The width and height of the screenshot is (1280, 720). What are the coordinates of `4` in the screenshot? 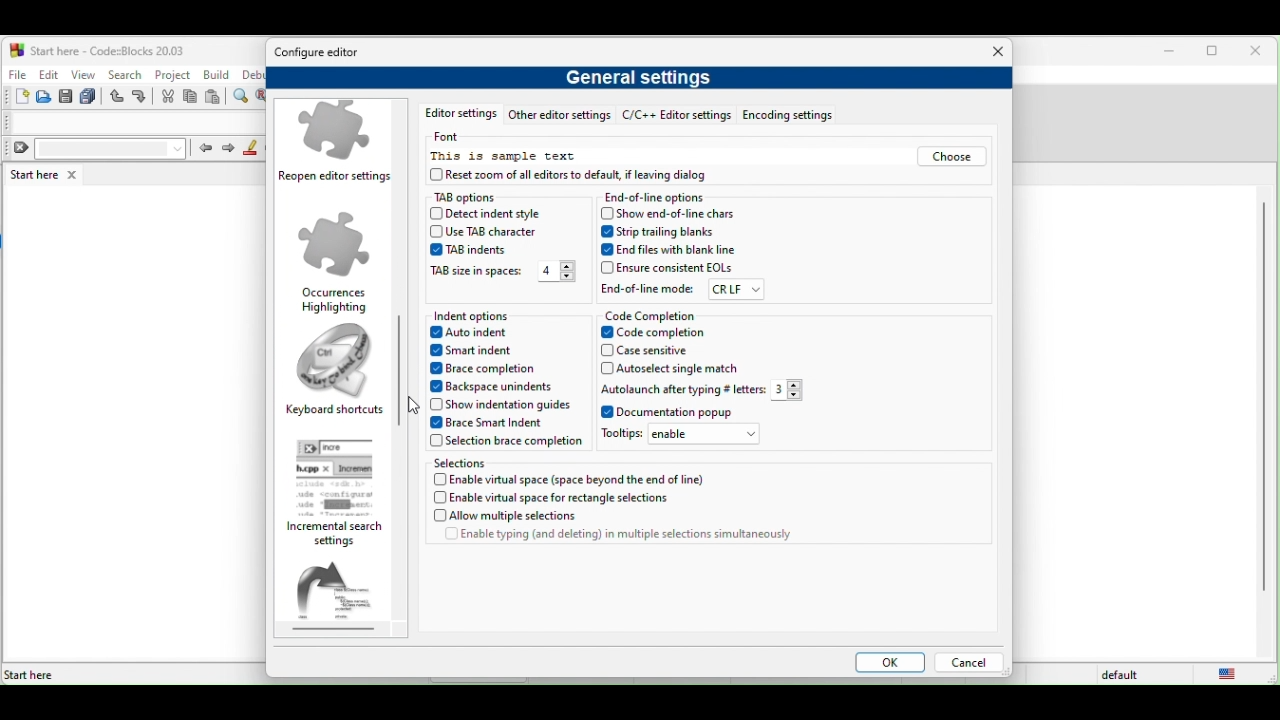 It's located at (556, 272).